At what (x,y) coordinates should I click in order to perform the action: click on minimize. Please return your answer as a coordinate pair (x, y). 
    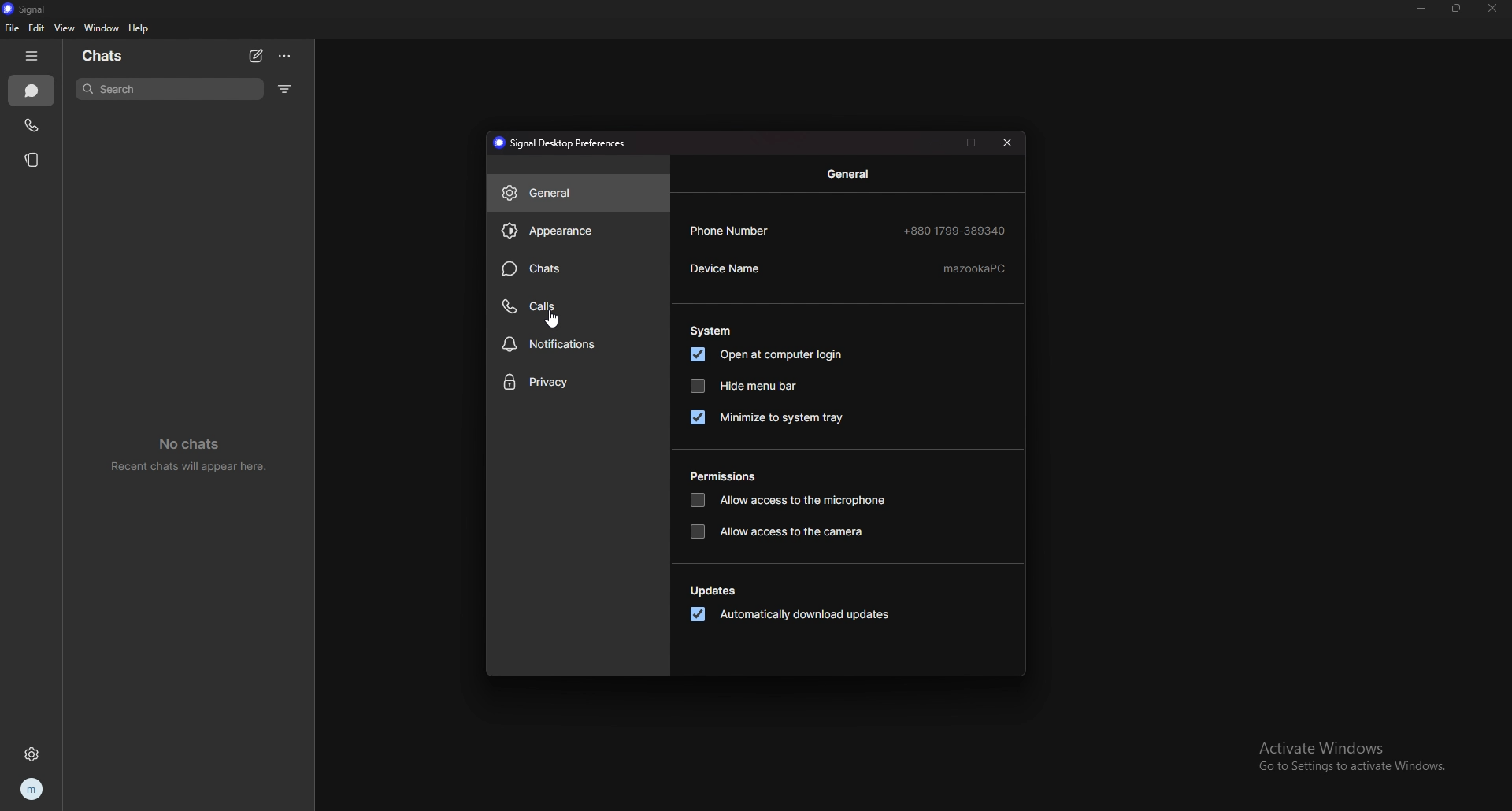
    Looking at the image, I should click on (1422, 9).